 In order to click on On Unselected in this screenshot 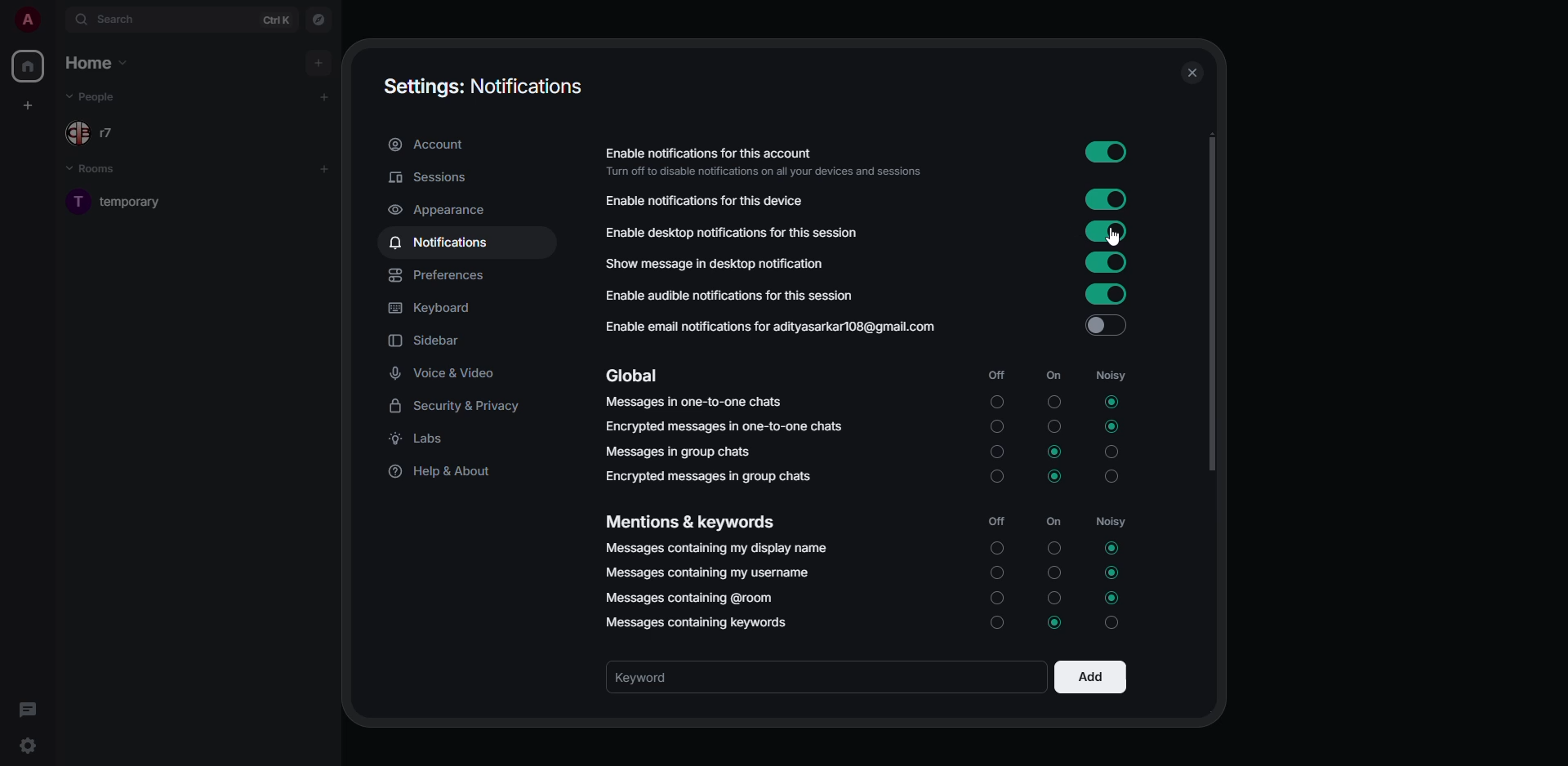, I will do `click(1054, 597)`.